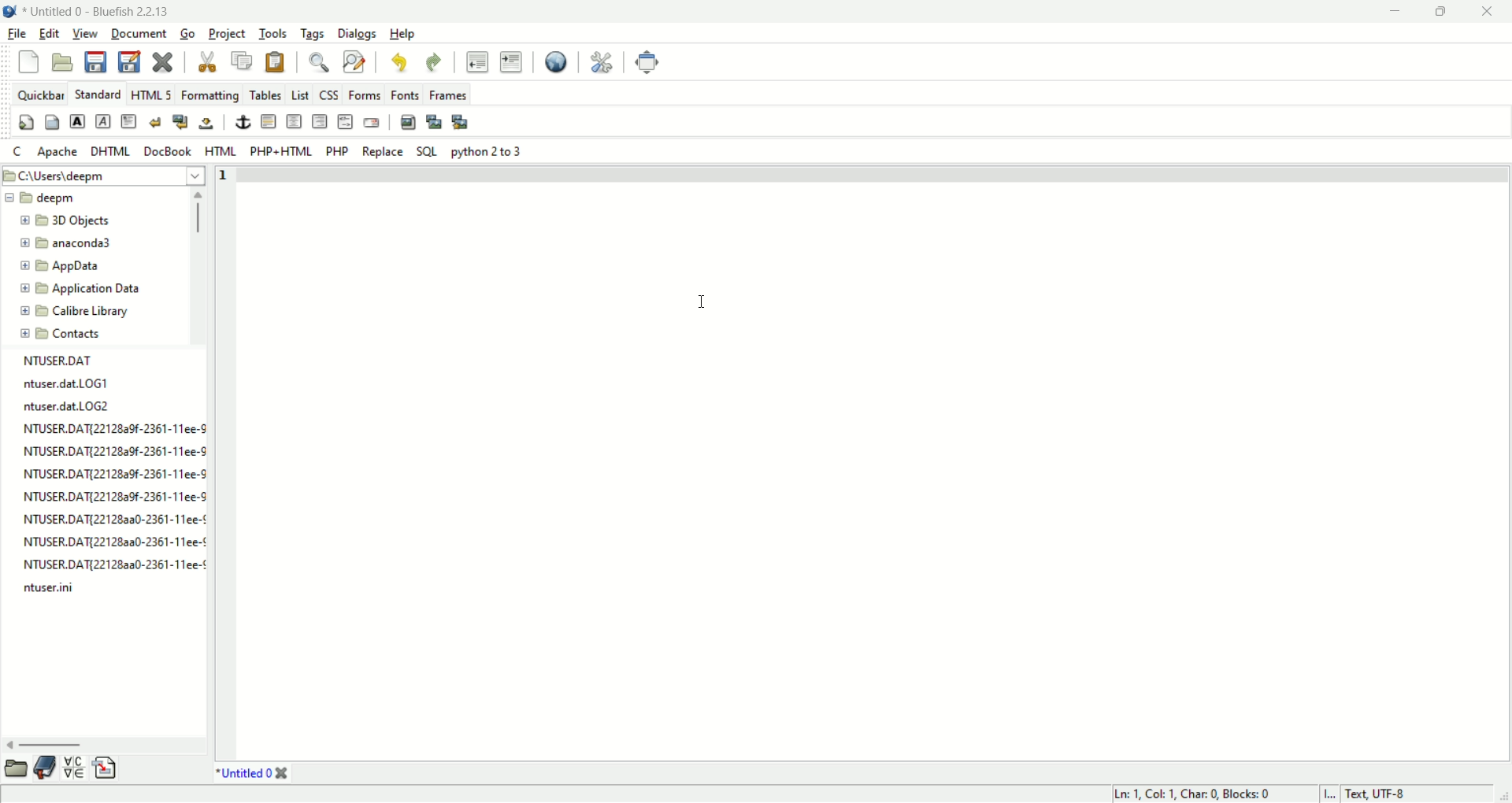  What do you see at coordinates (76, 177) in the screenshot?
I see `c:\users\deeppm` at bounding box center [76, 177].